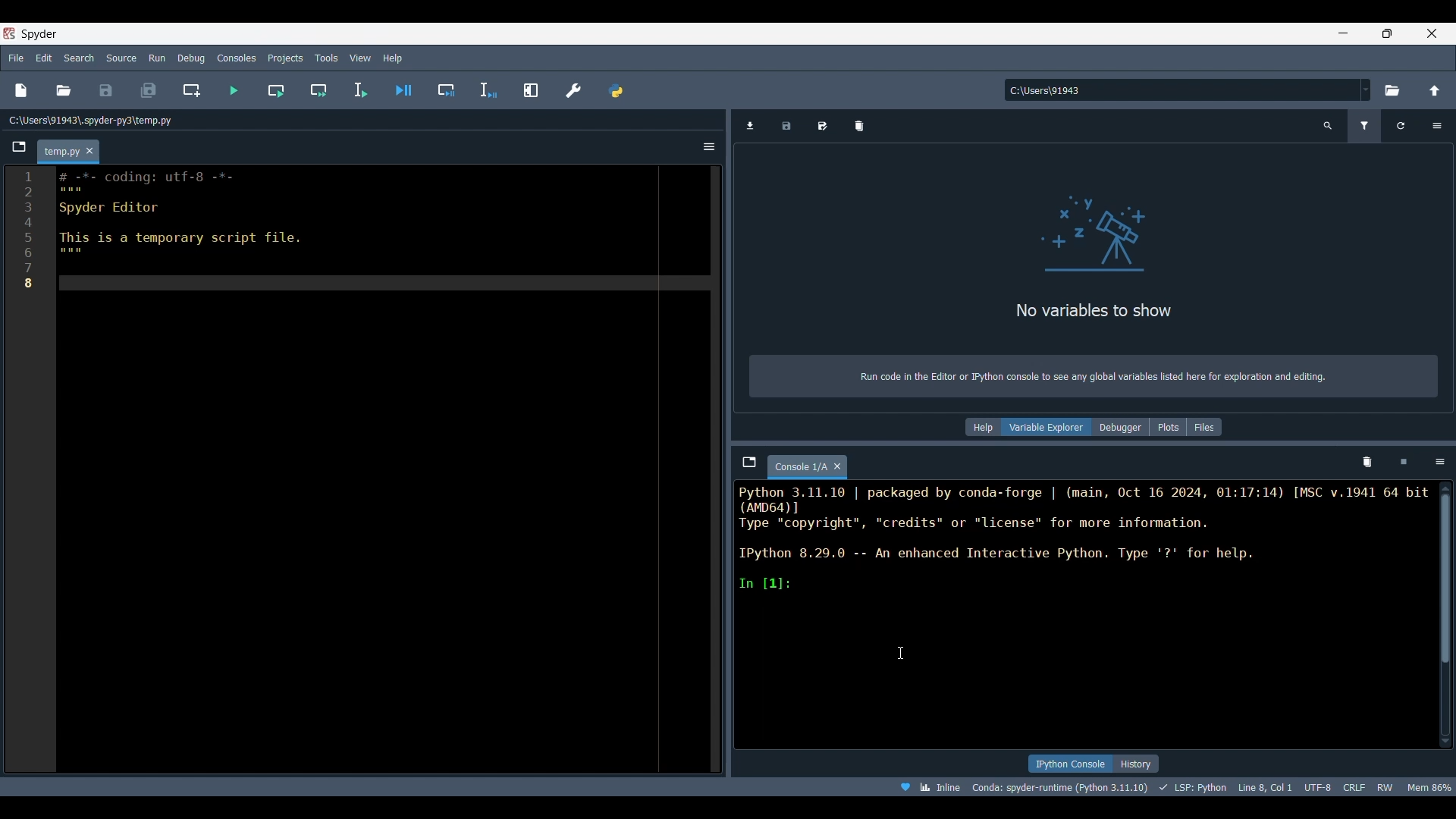  Describe the element at coordinates (1445, 576) in the screenshot. I see `scrollbar` at that location.